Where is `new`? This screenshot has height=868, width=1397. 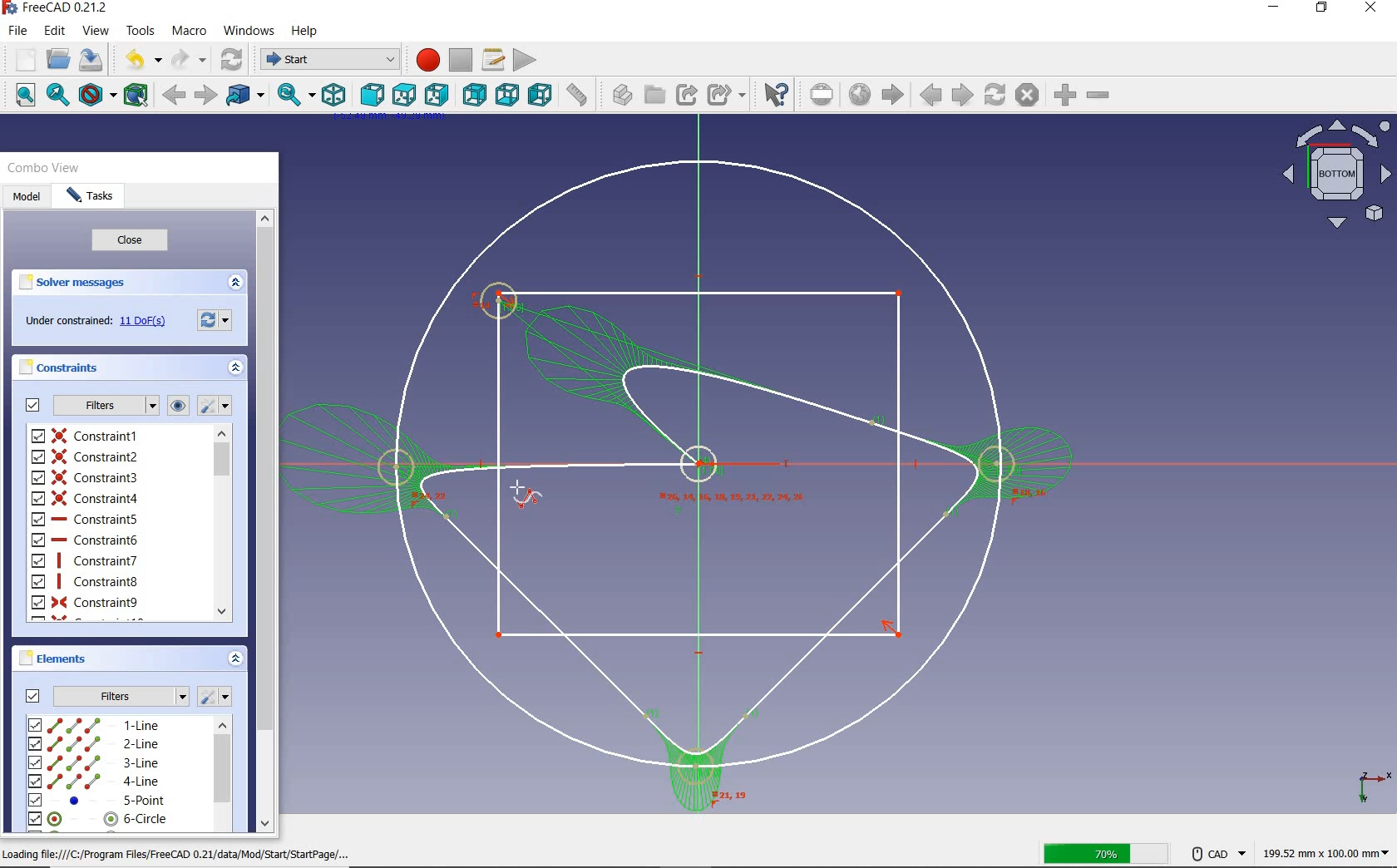
new is located at coordinates (26, 60).